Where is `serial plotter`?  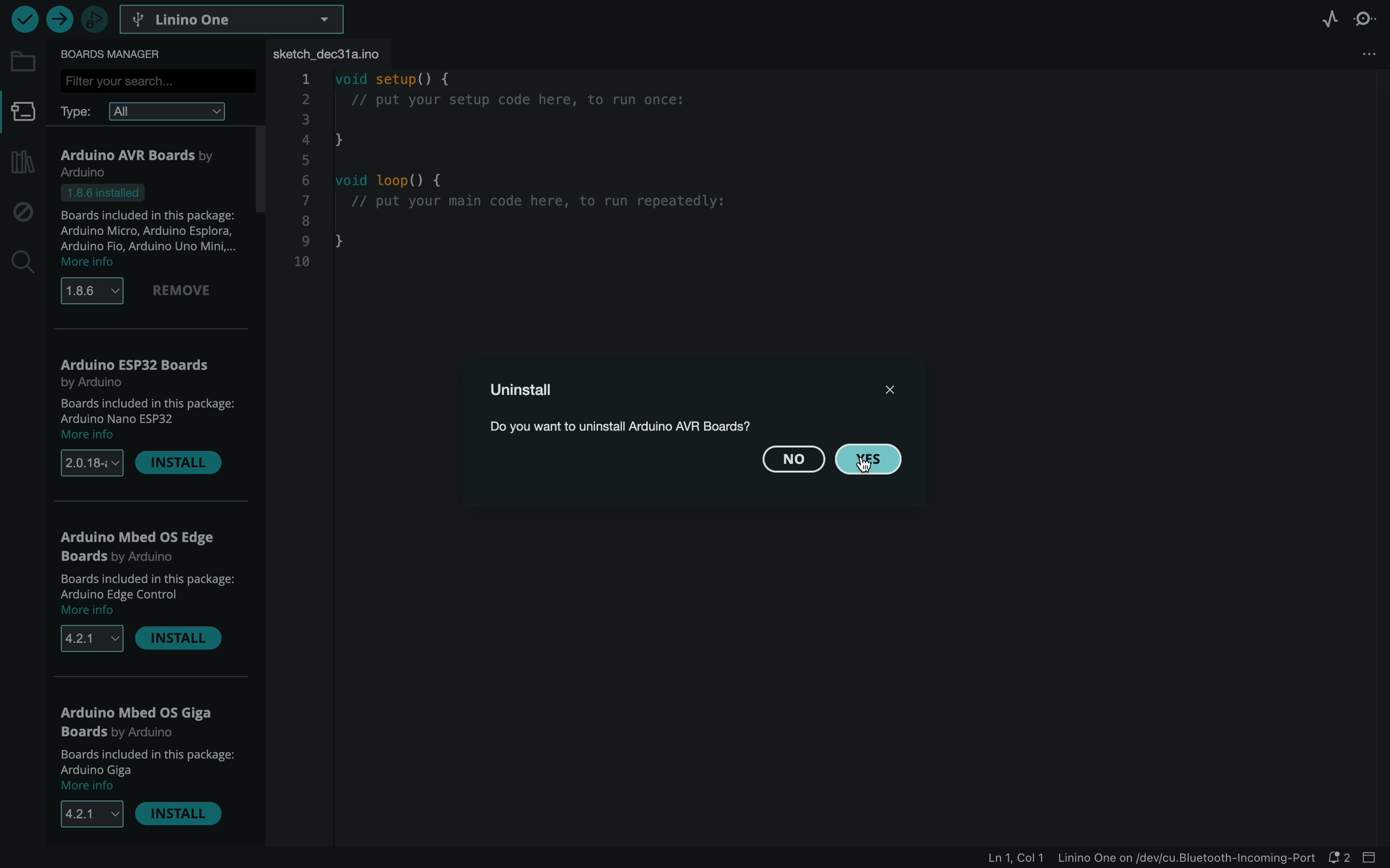 serial plotter is located at coordinates (1330, 21).